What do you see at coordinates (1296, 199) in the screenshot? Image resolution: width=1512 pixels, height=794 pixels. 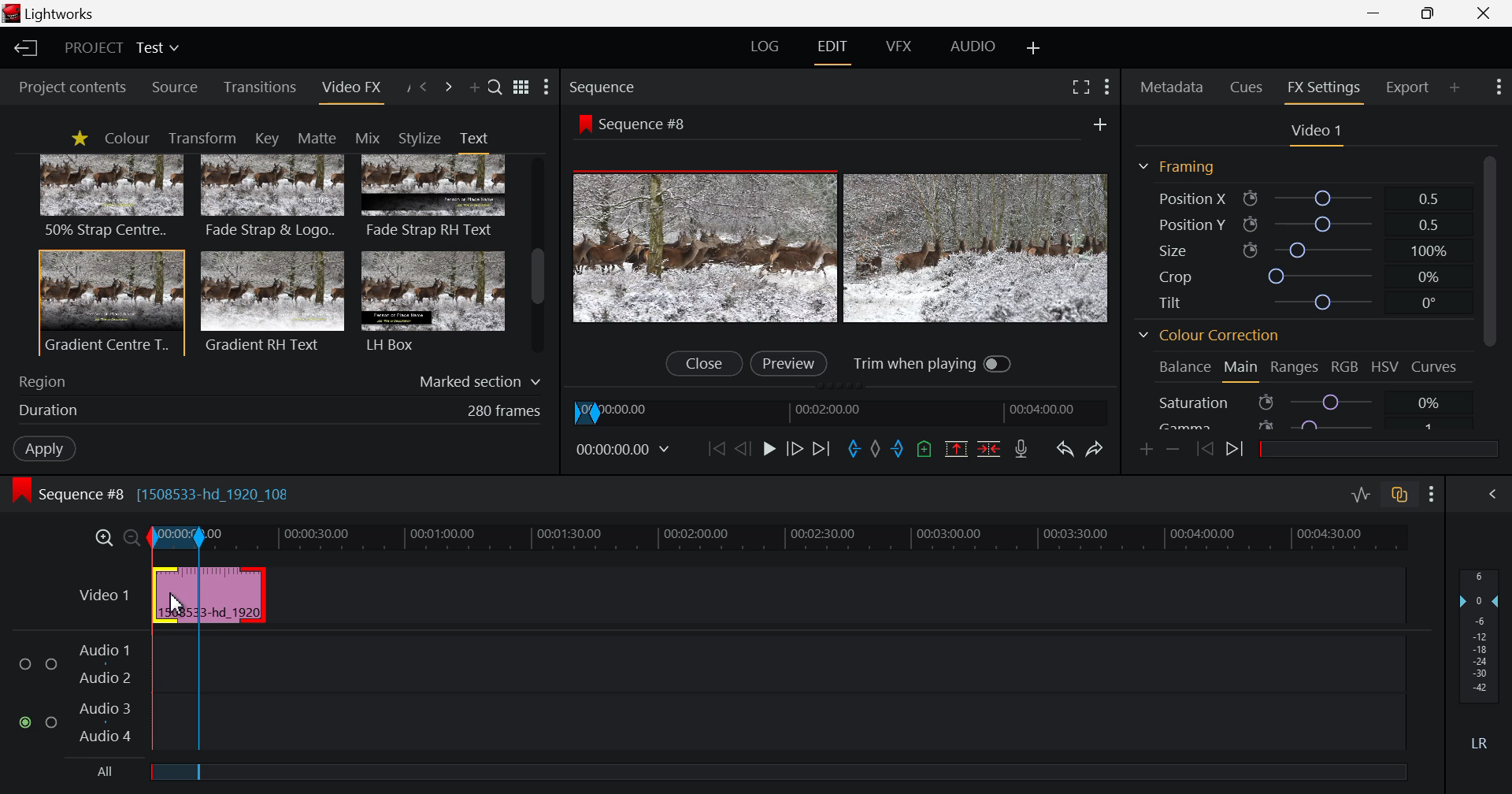 I see `Position X` at bounding box center [1296, 199].